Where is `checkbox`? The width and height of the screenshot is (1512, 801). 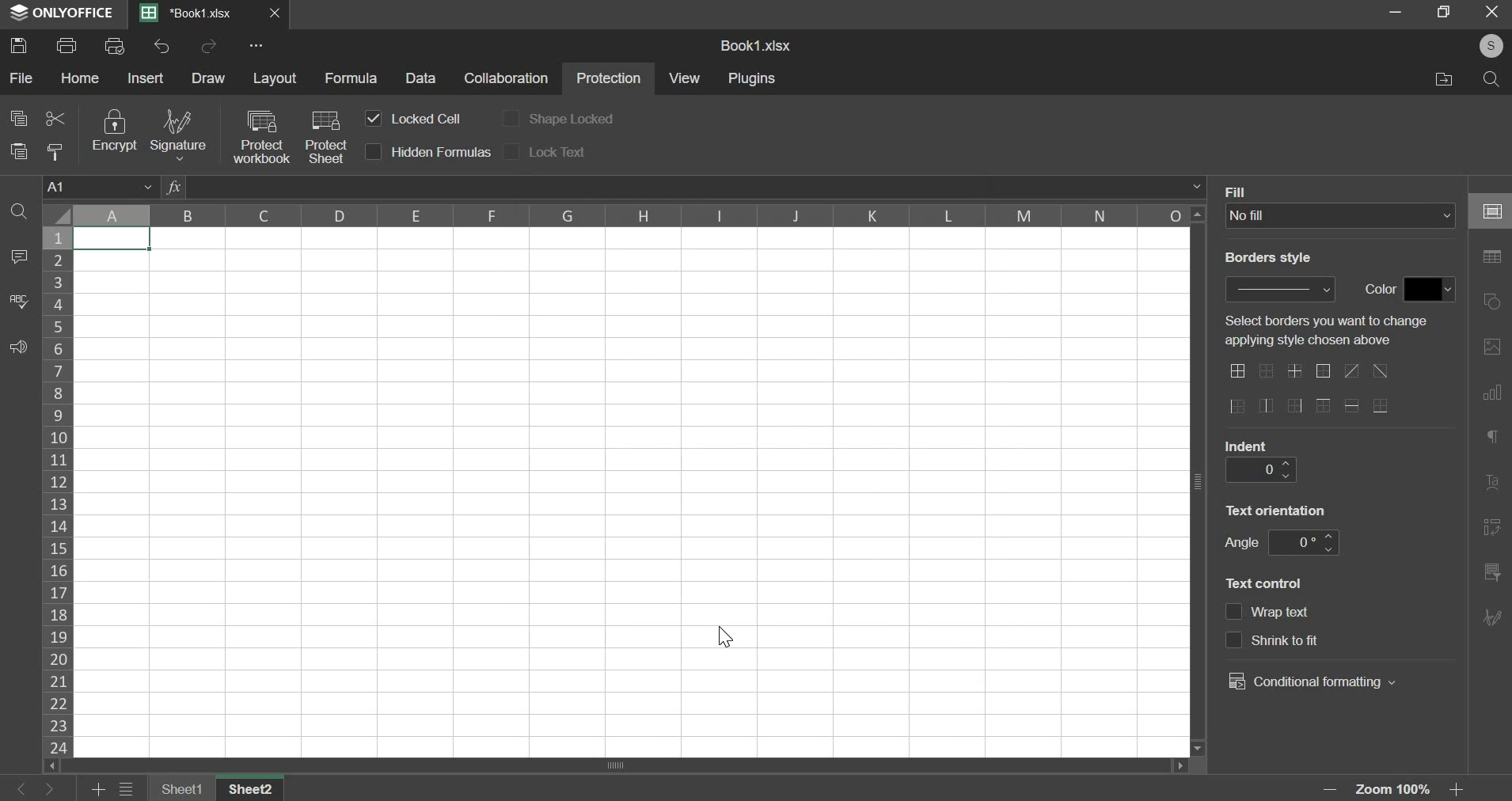
checkbox is located at coordinates (1234, 613).